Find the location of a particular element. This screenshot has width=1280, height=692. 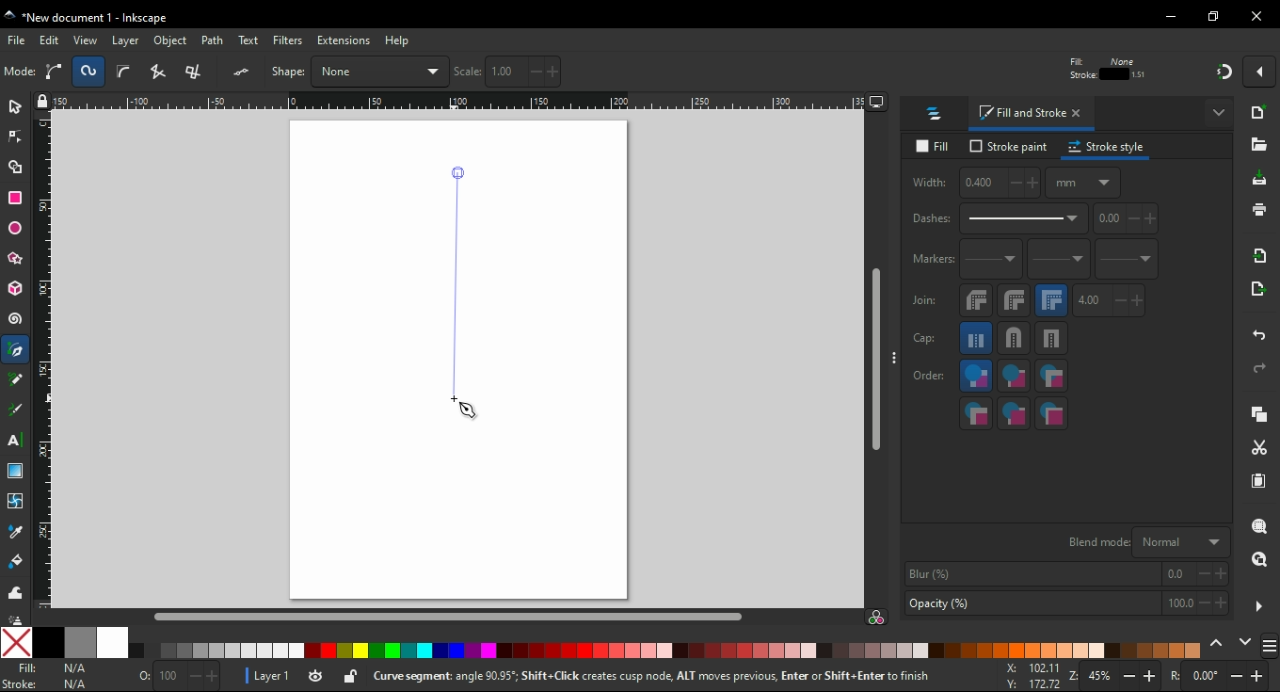

fill,stroke,markers is located at coordinates (976, 377).